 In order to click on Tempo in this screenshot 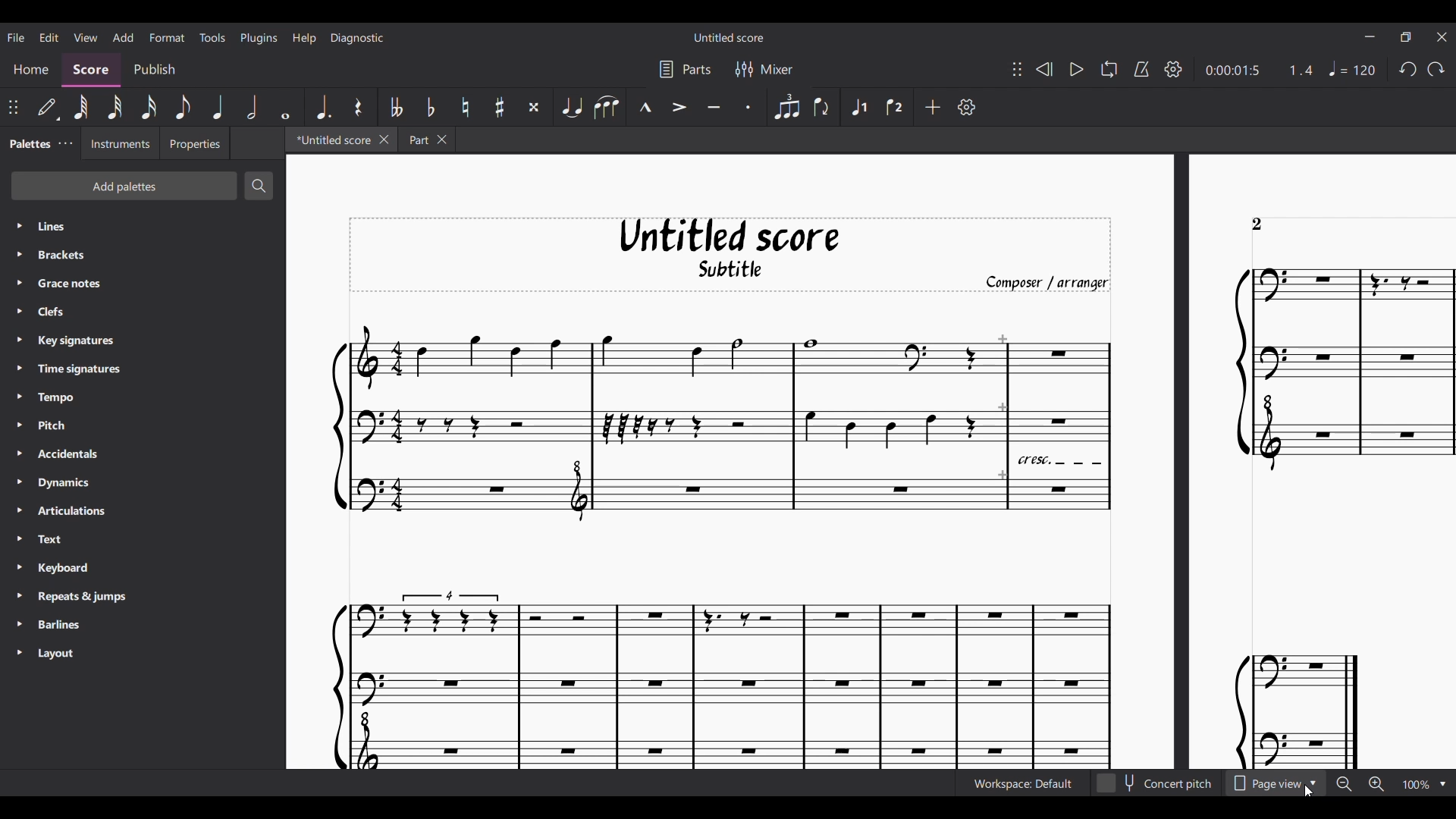, I will do `click(1351, 69)`.